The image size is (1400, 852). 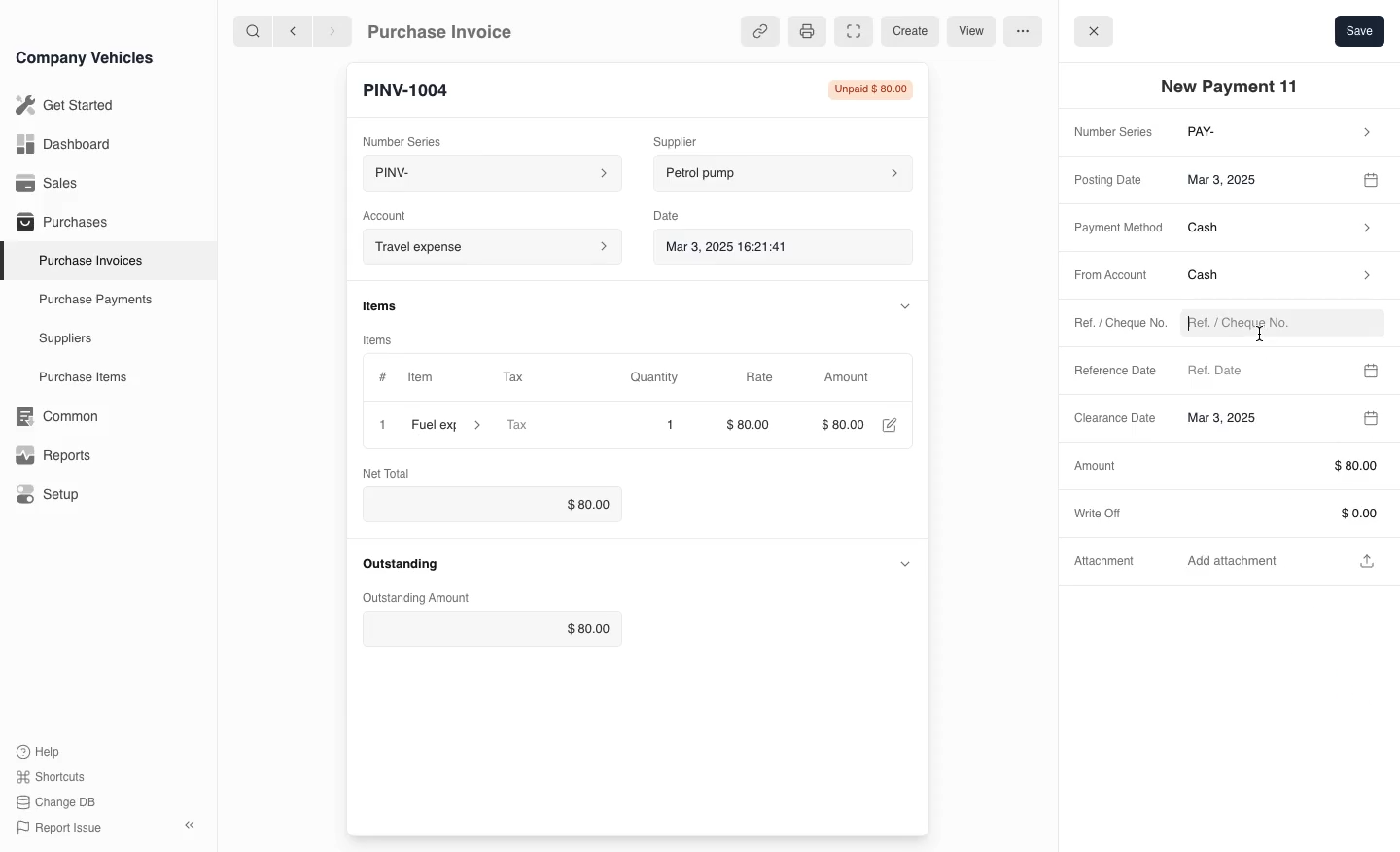 I want to click on collapse, so click(x=901, y=304).